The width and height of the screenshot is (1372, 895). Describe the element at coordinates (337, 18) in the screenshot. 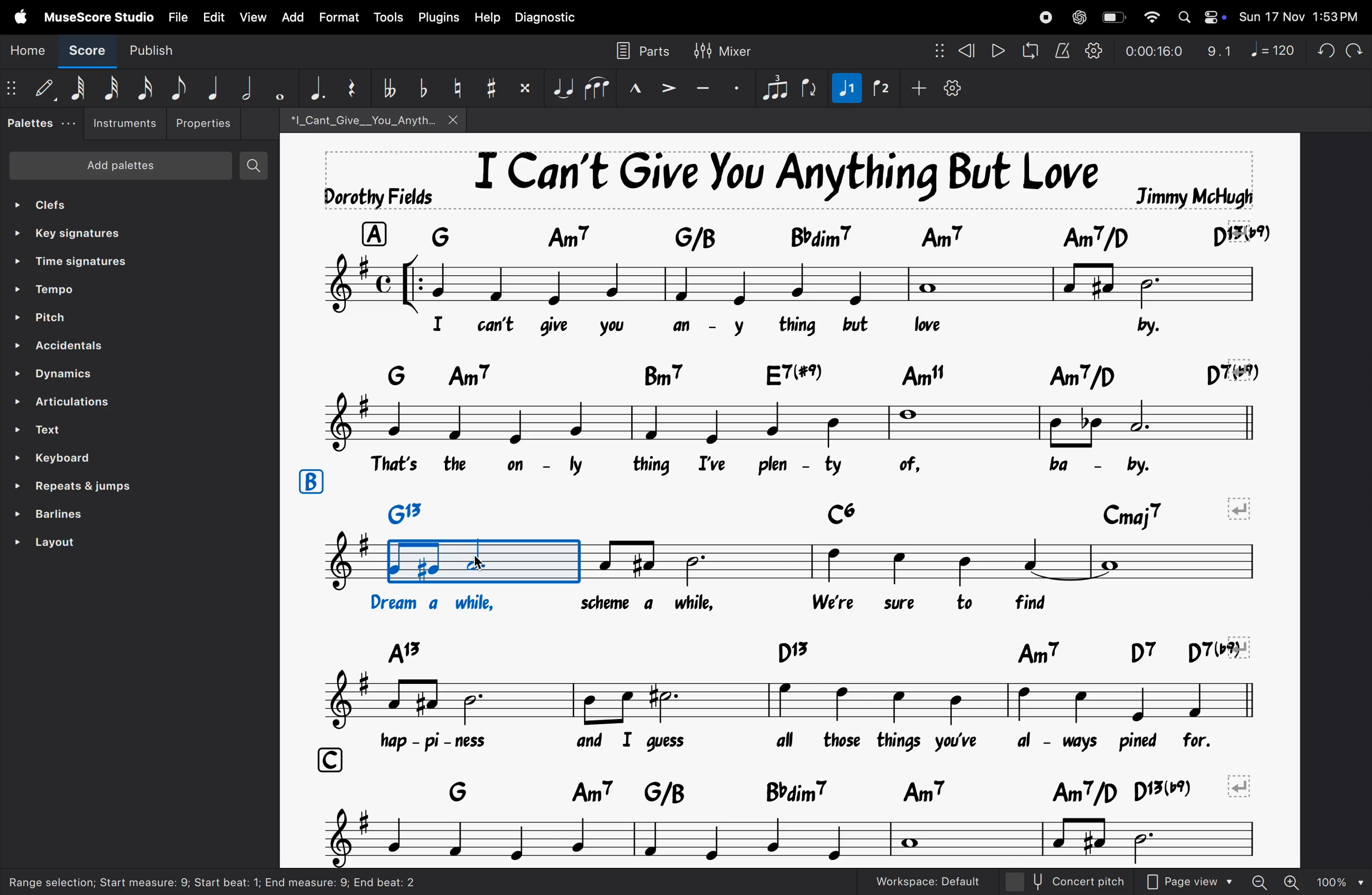

I see `Format` at that location.